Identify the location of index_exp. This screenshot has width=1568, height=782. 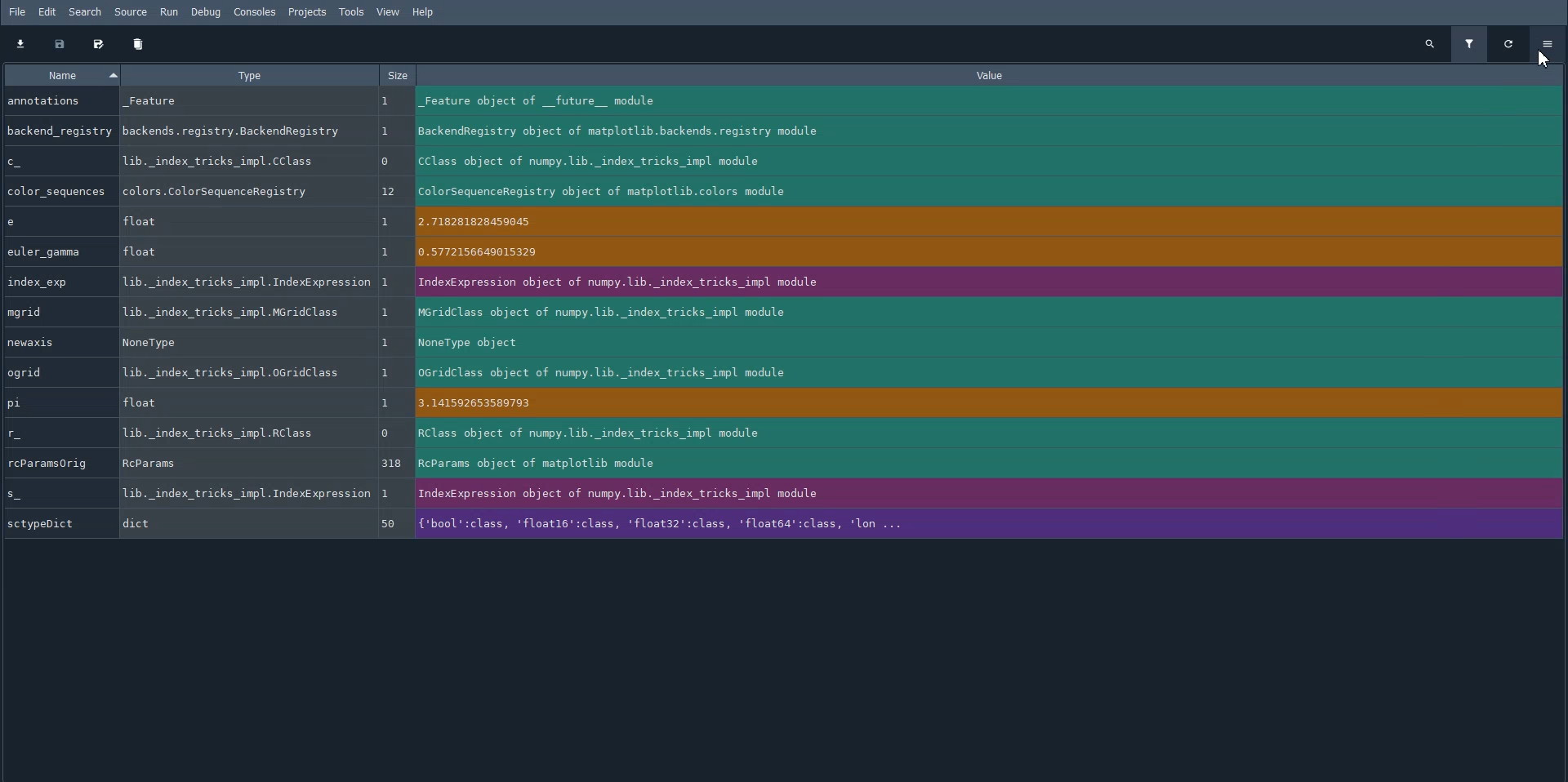
(55, 282).